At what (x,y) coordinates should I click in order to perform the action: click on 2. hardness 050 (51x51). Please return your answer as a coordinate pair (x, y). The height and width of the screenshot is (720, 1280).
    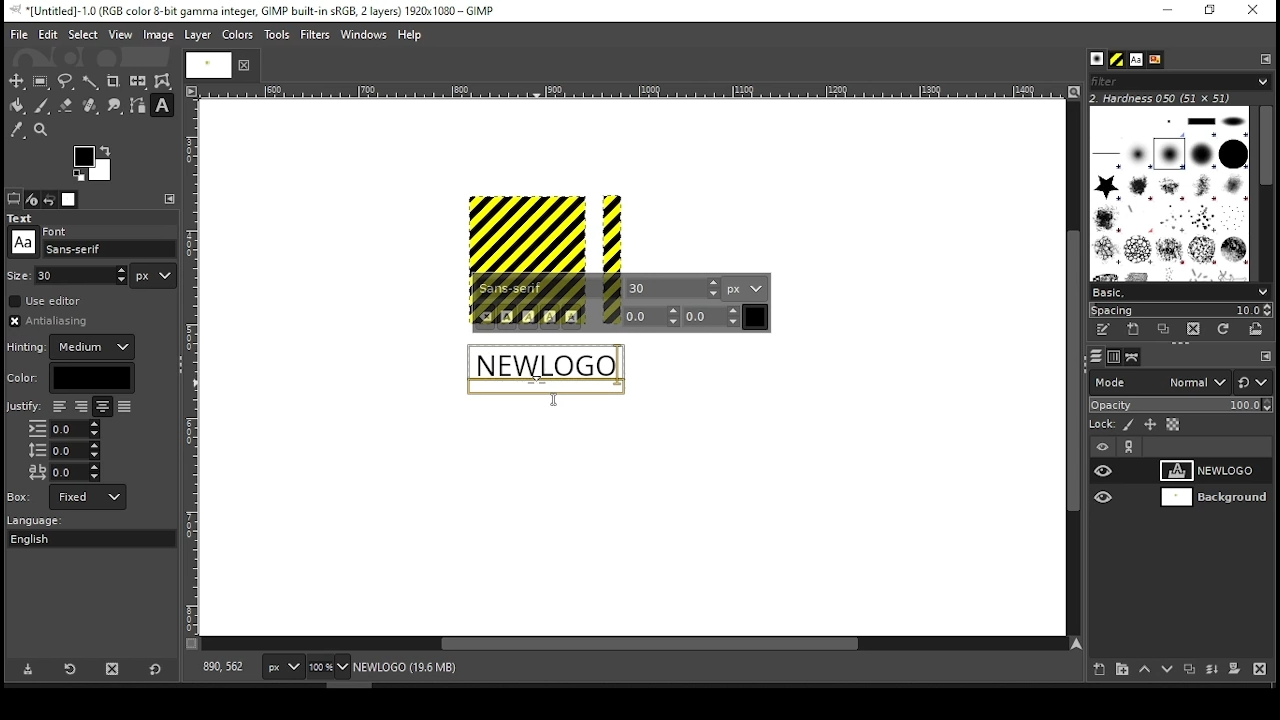
    Looking at the image, I should click on (1166, 98).